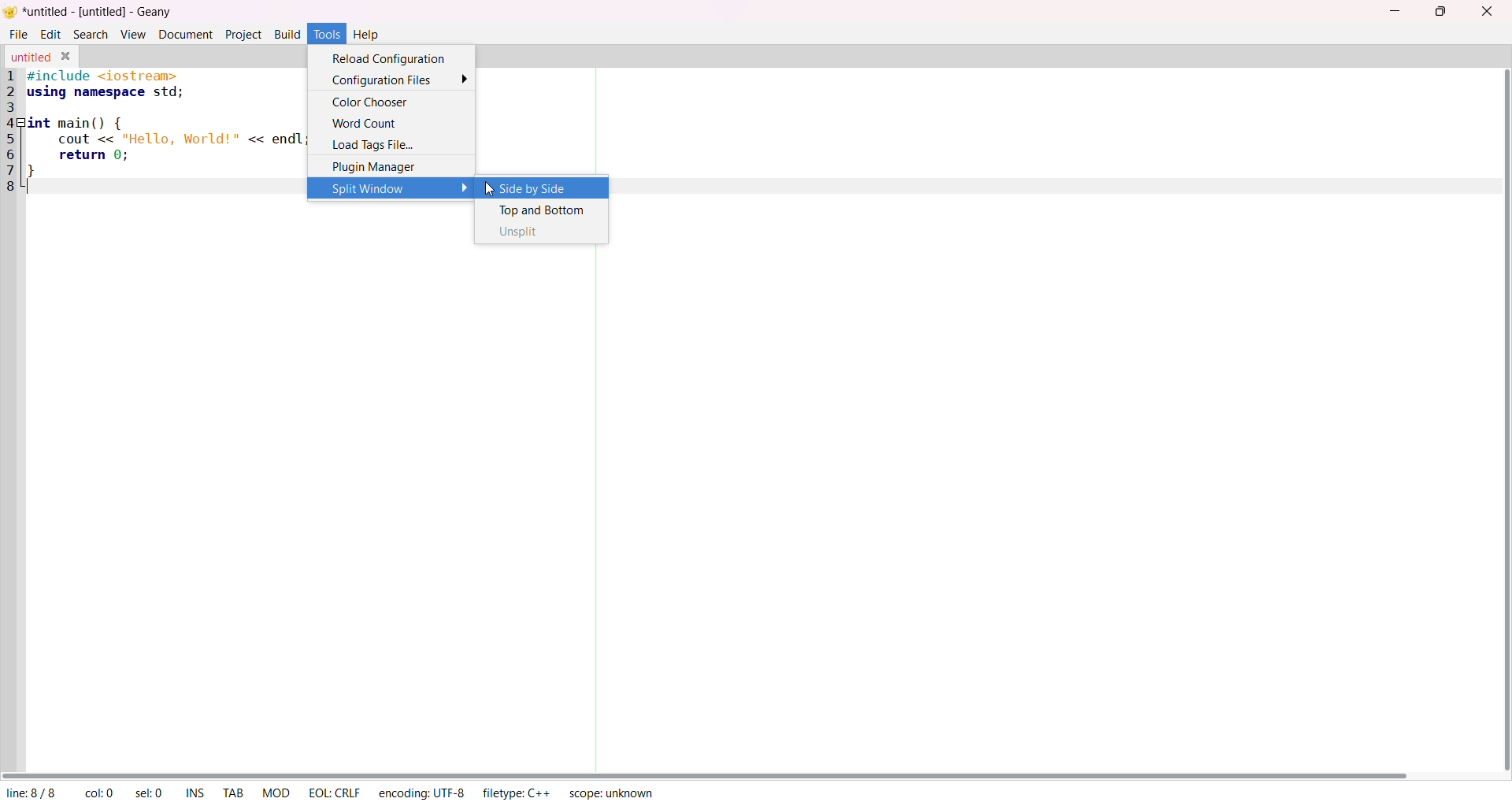  Describe the element at coordinates (712, 773) in the screenshot. I see `horizontal scroll bar` at that location.